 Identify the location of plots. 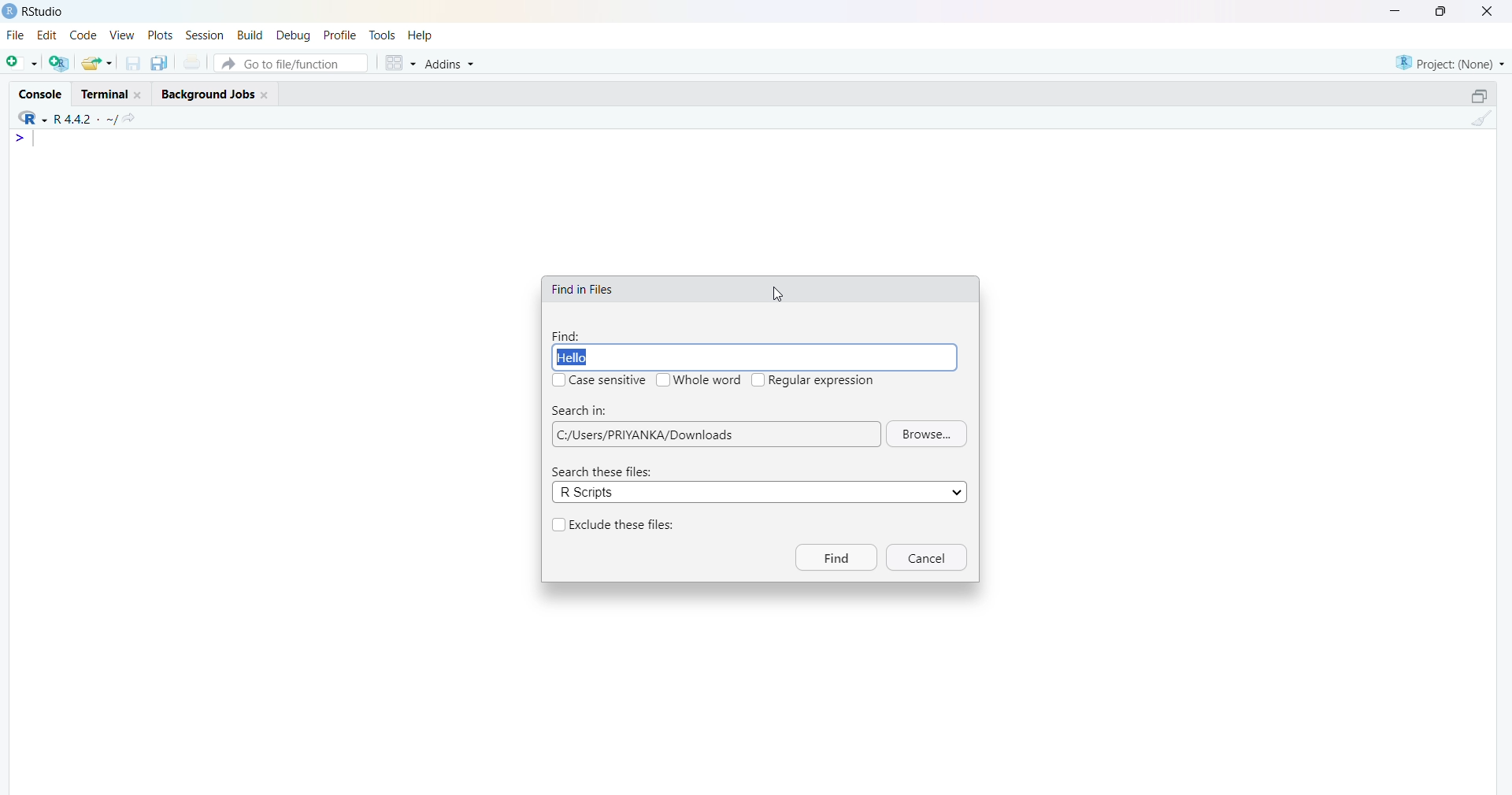
(160, 34).